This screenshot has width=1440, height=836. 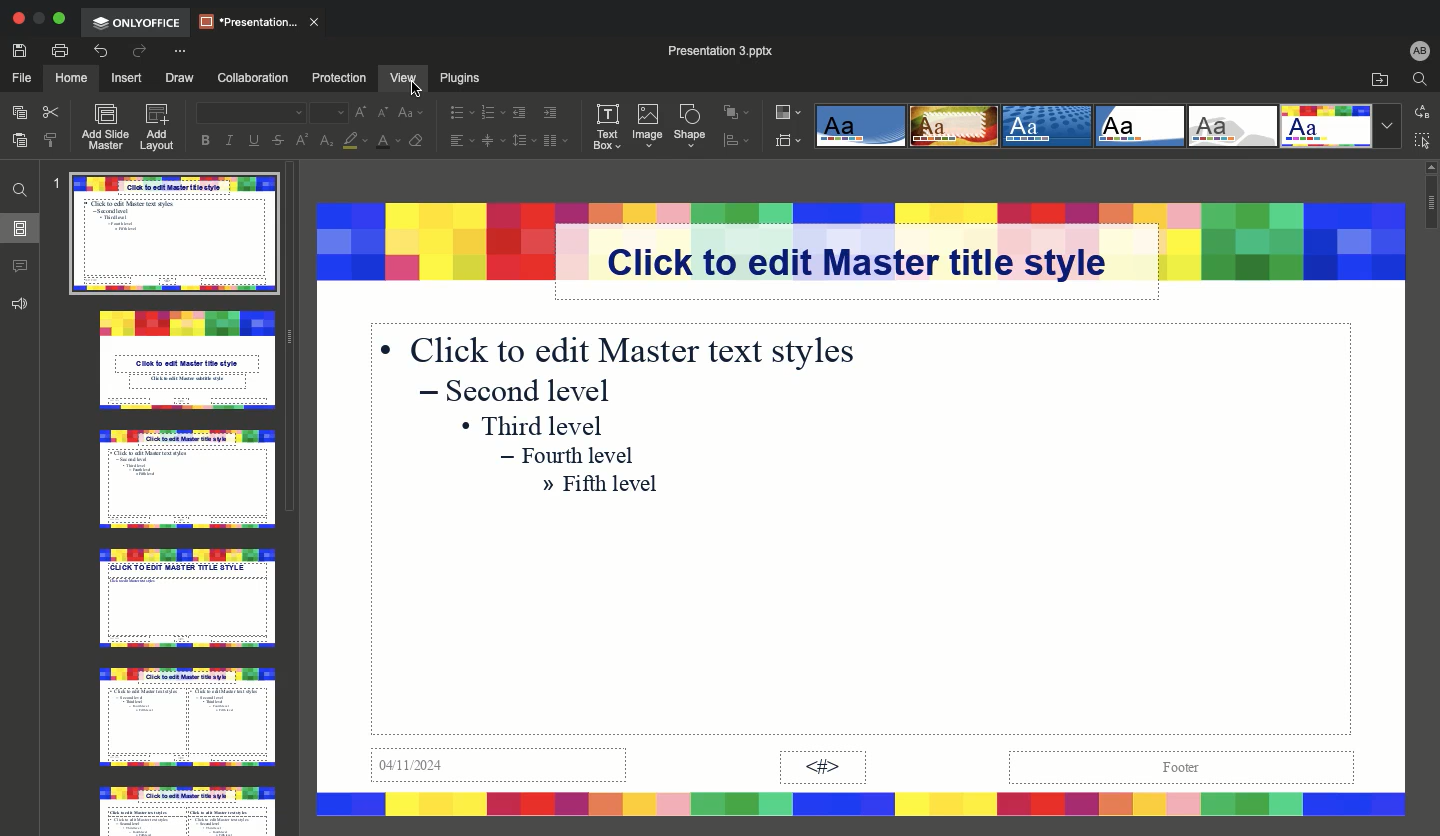 What do you see at coordinates (53, 114) in the screenshot?
I see `Cut` at bounding box center [53, 114].